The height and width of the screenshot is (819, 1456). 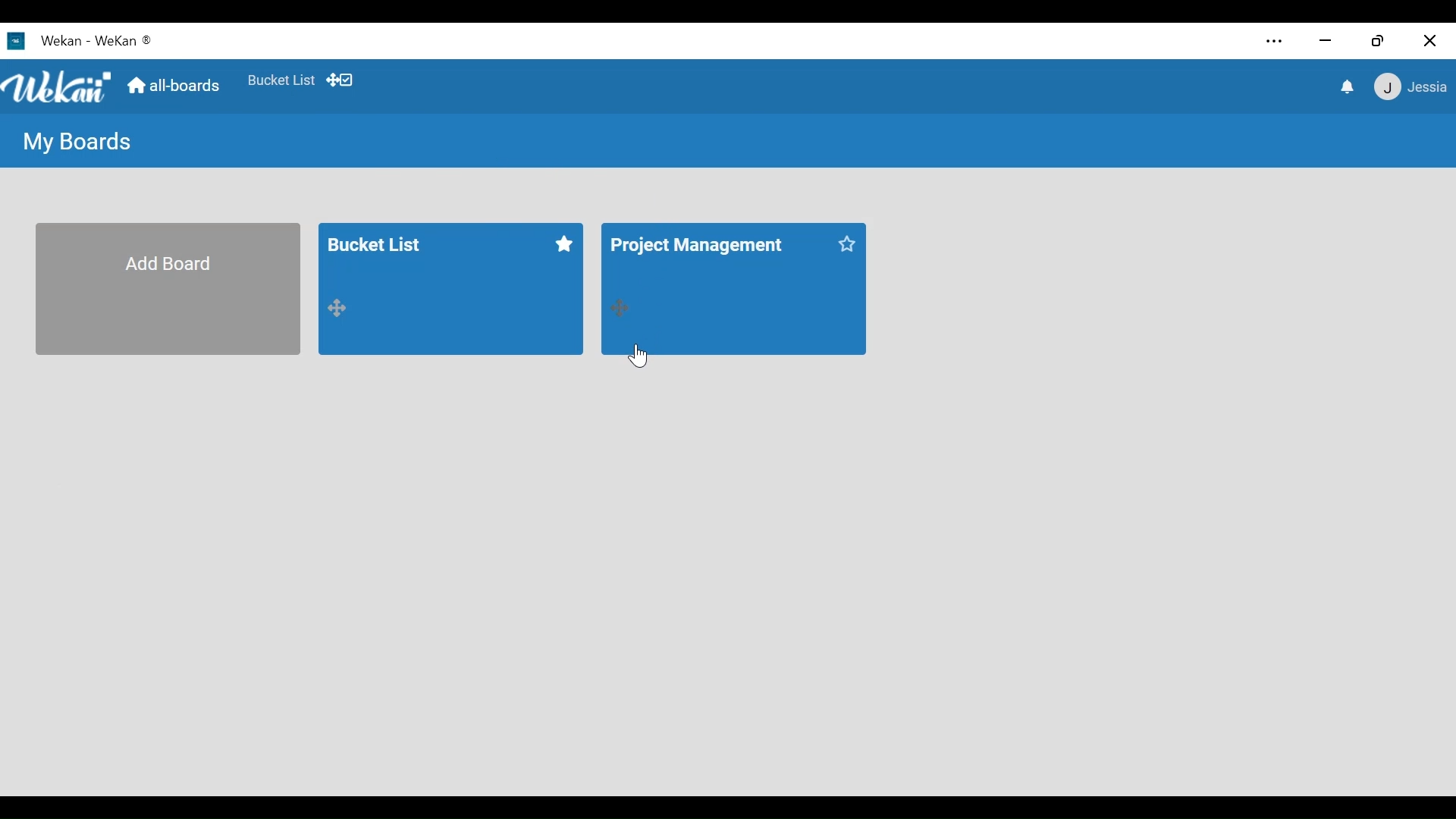 What do you see at coordinates (1407, 87) in the screenshot?
I see `Member settings` at bounding box center [1407, 87].